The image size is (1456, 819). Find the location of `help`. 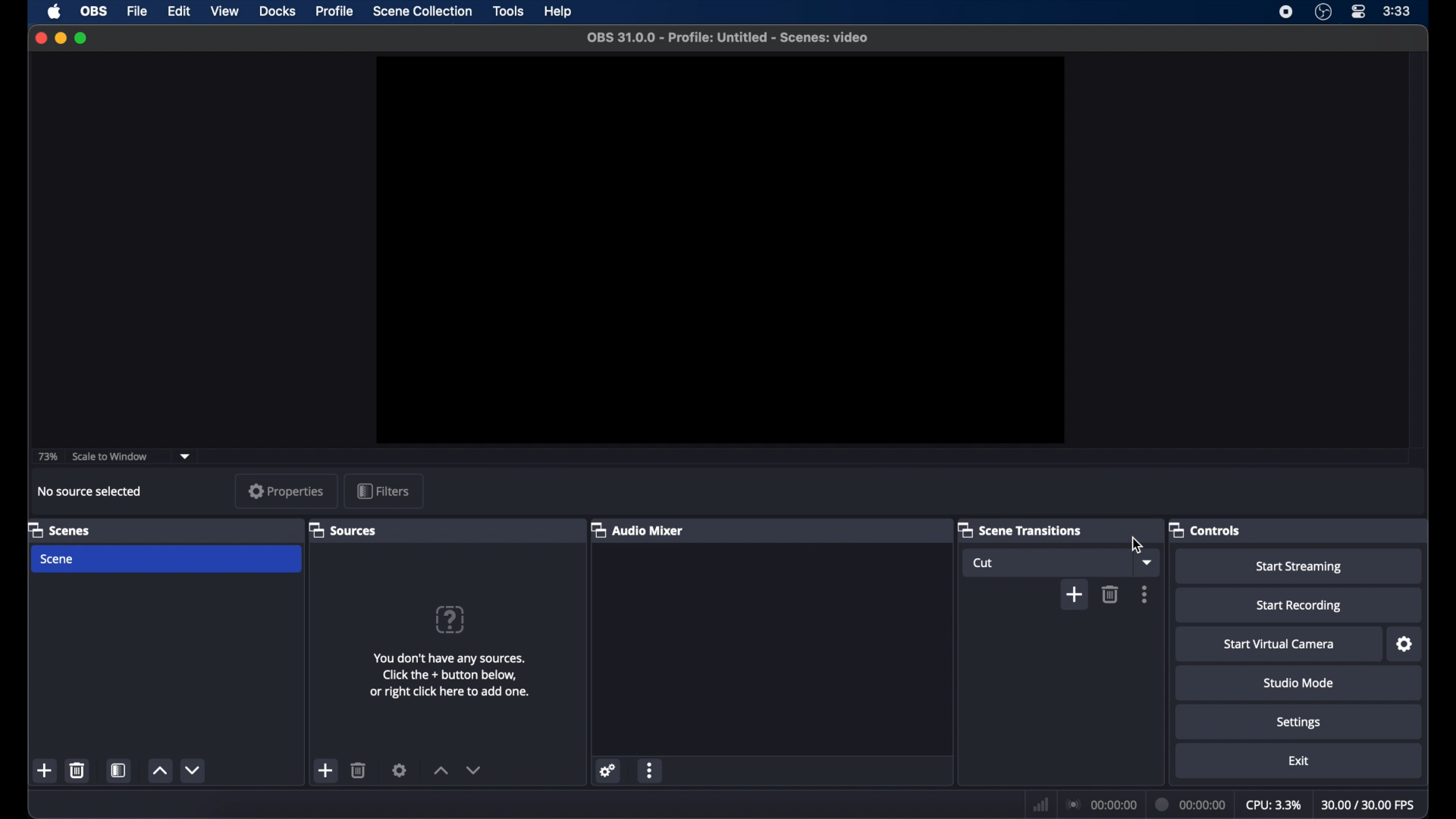

help is located at coordinates (560, 11).